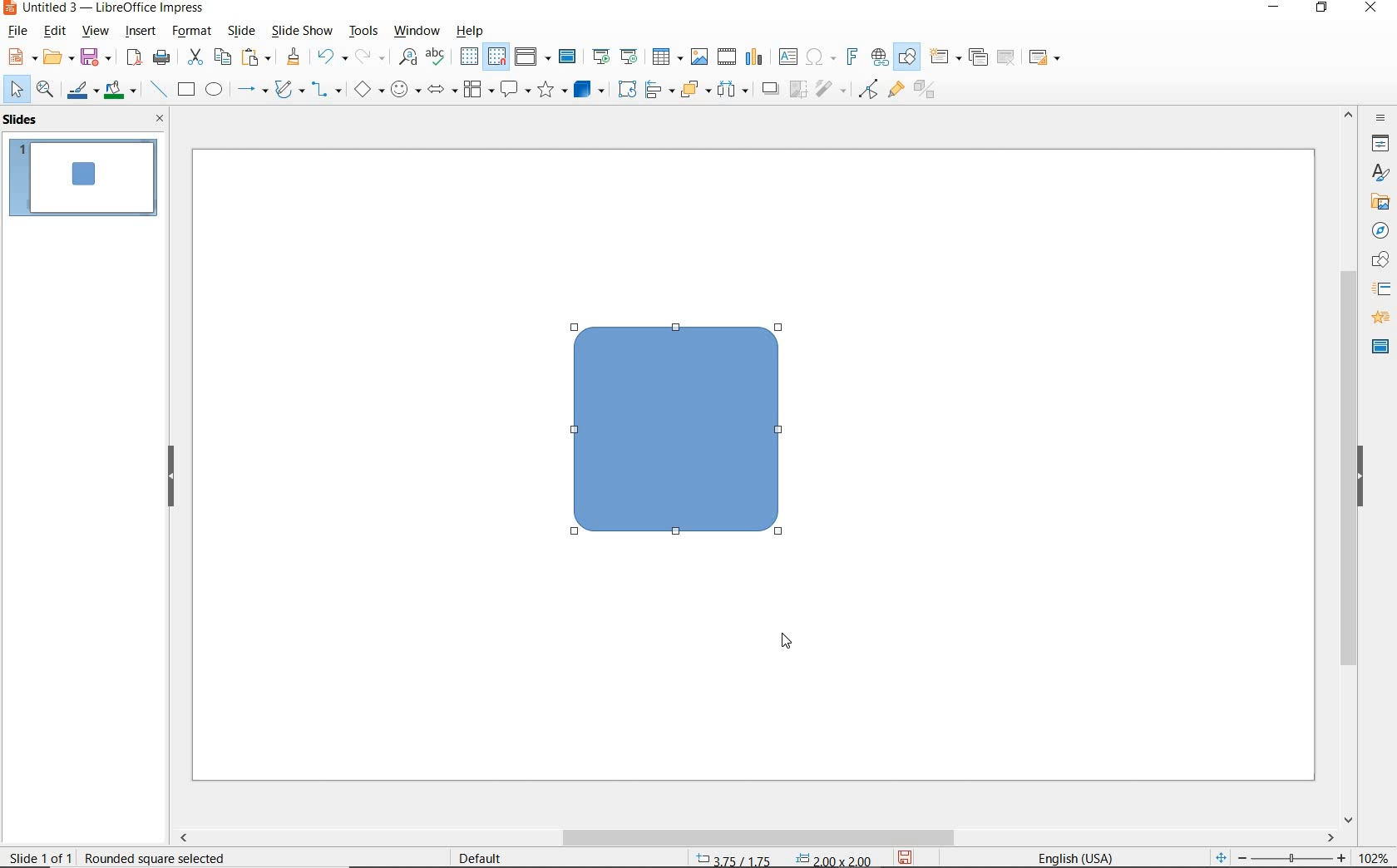 The image size is (1397, 868). I want to click on save, so click(905, 858).